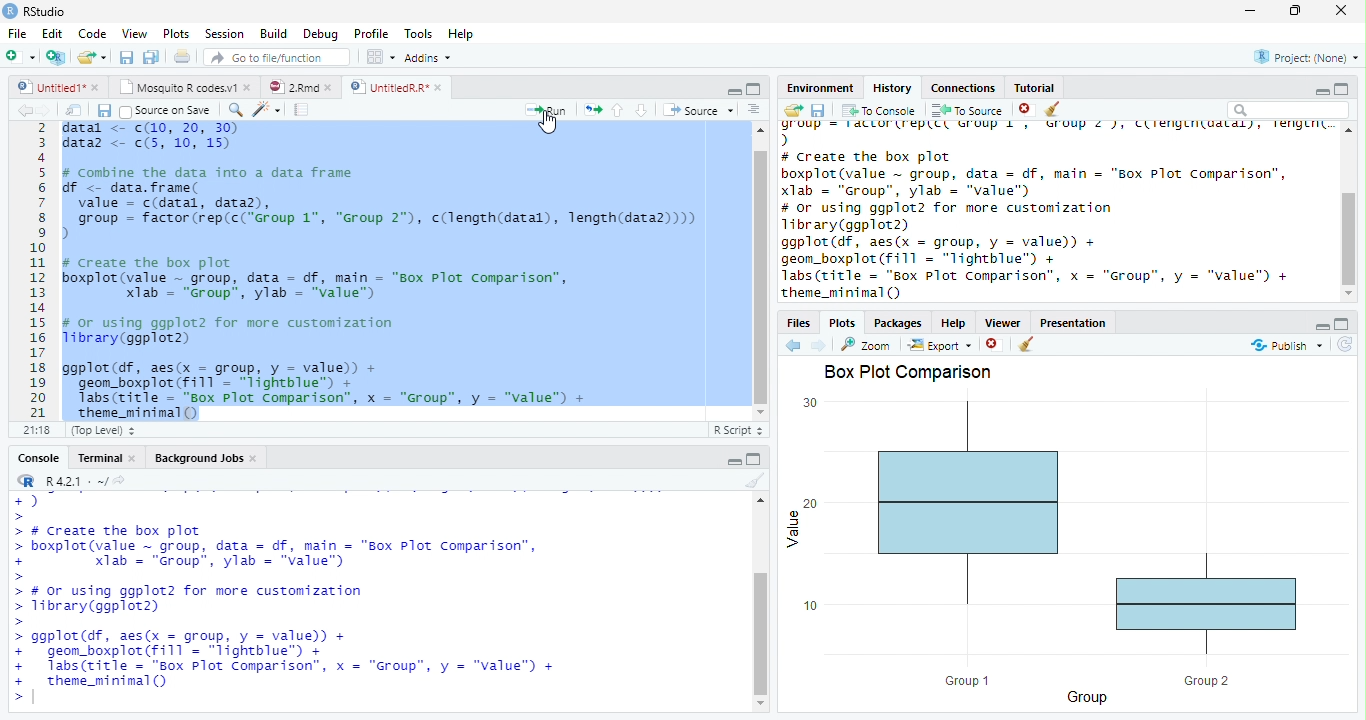 This screenshot has width=1366, height=720. Describe the element at coordinates (1026, 109) in the screenshot. I see `Remove the selected history entries` at that location.